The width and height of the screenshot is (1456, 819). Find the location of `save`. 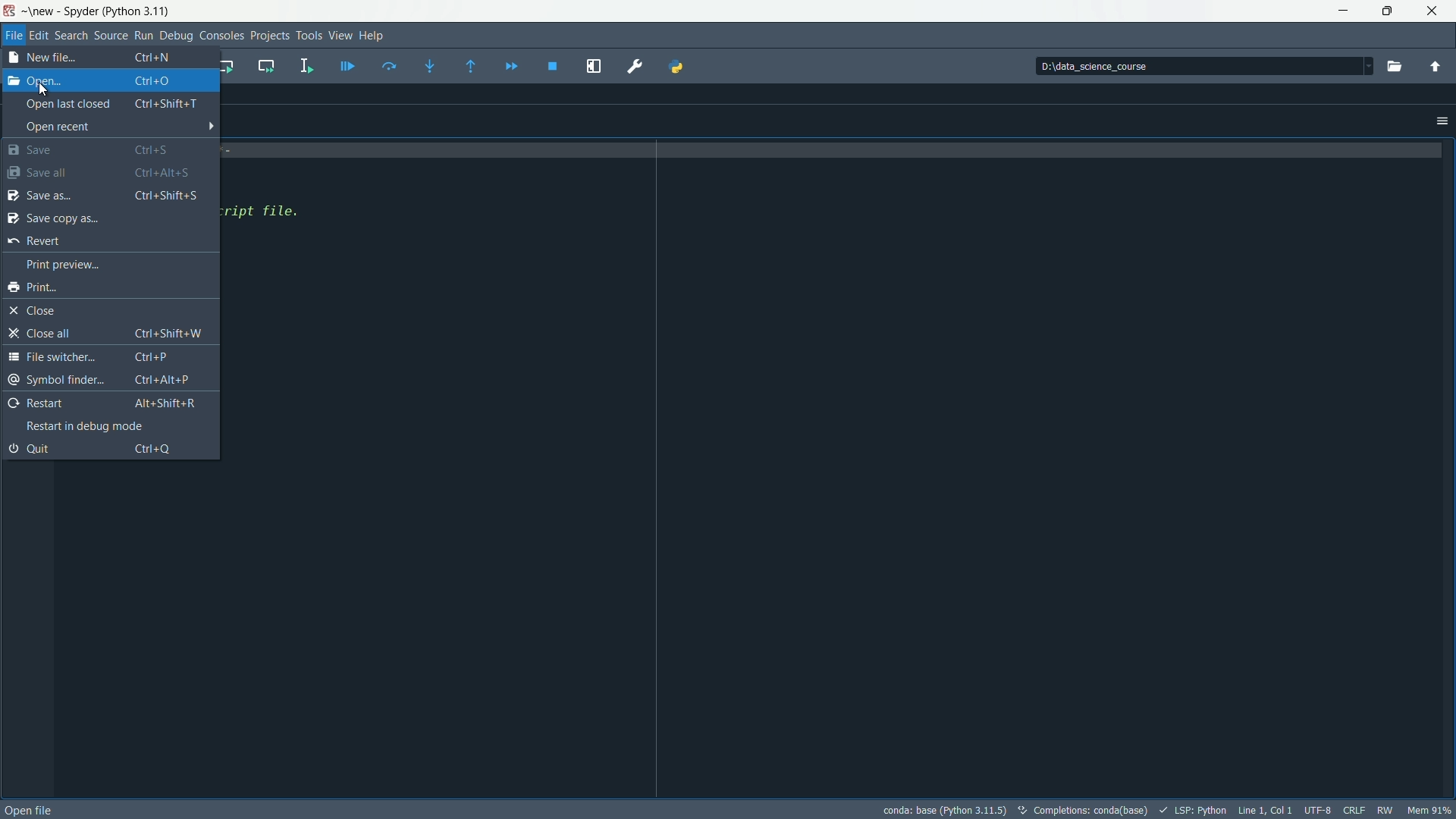

save is located at coordinates (99, 148).